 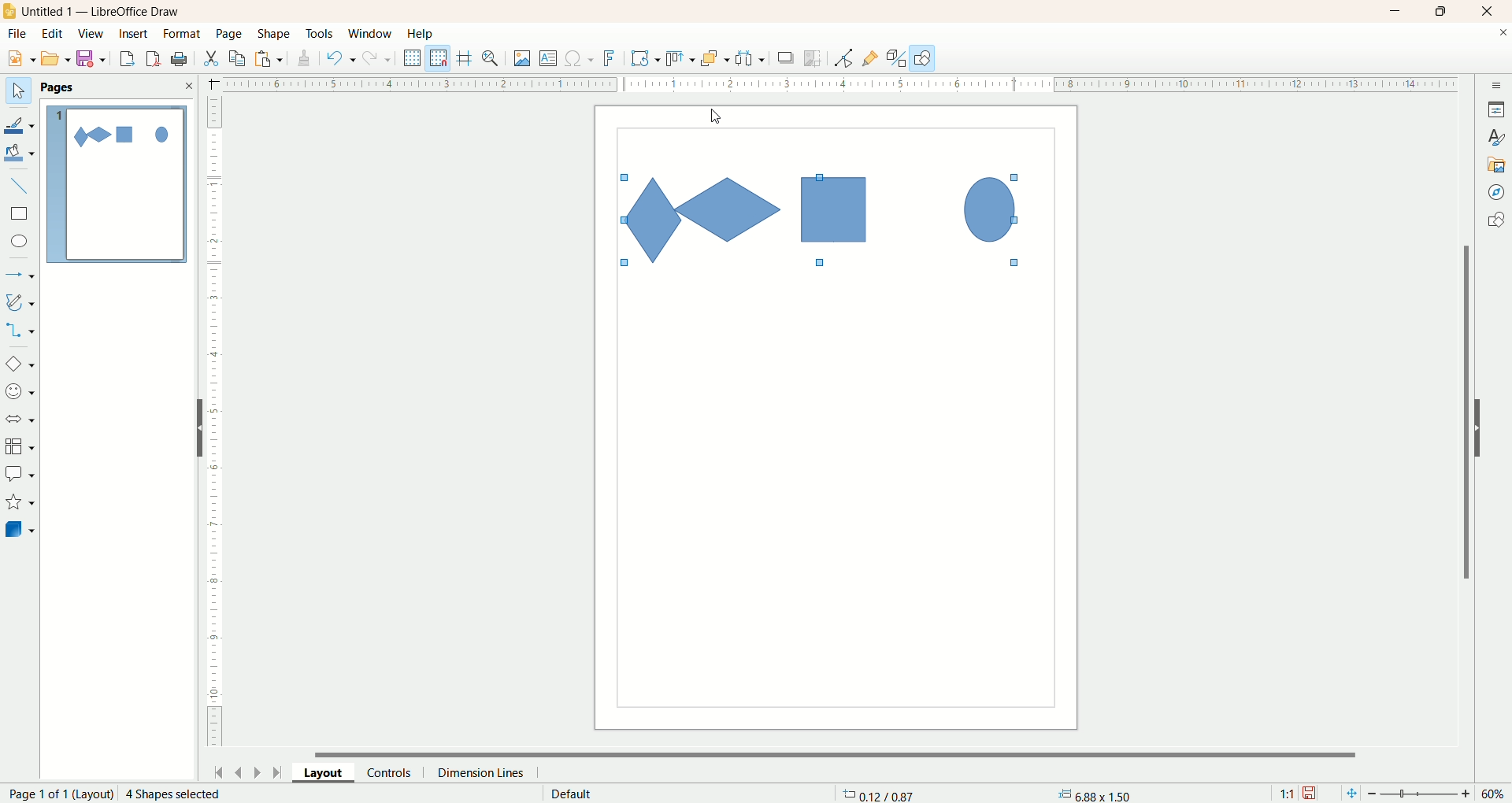 What do you see at coordinates (53, 35) in the screenshot?
I see `edit` at bounding box center [53, 35].